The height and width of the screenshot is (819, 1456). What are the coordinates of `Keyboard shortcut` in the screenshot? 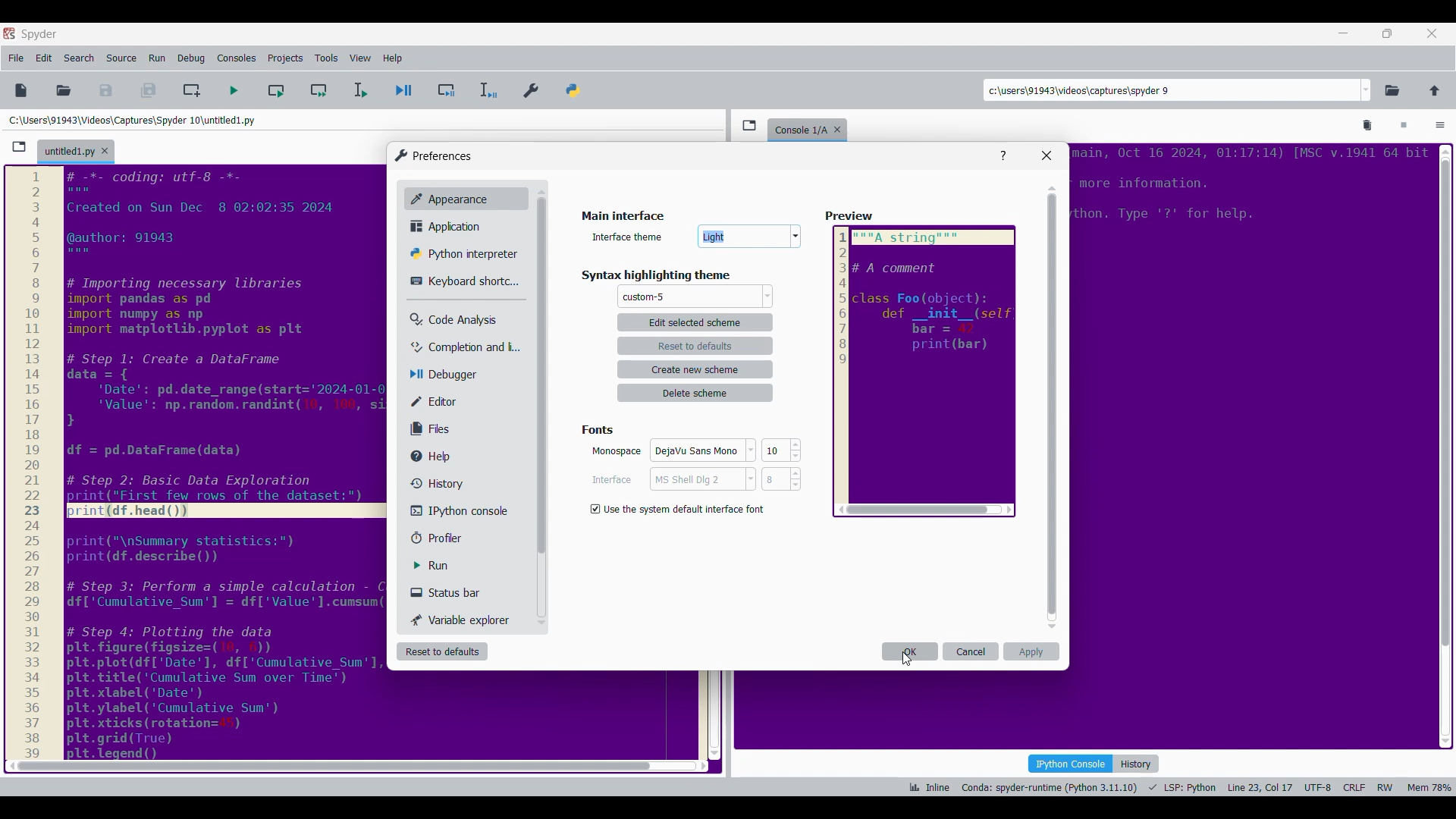 It's located at (459, 281).